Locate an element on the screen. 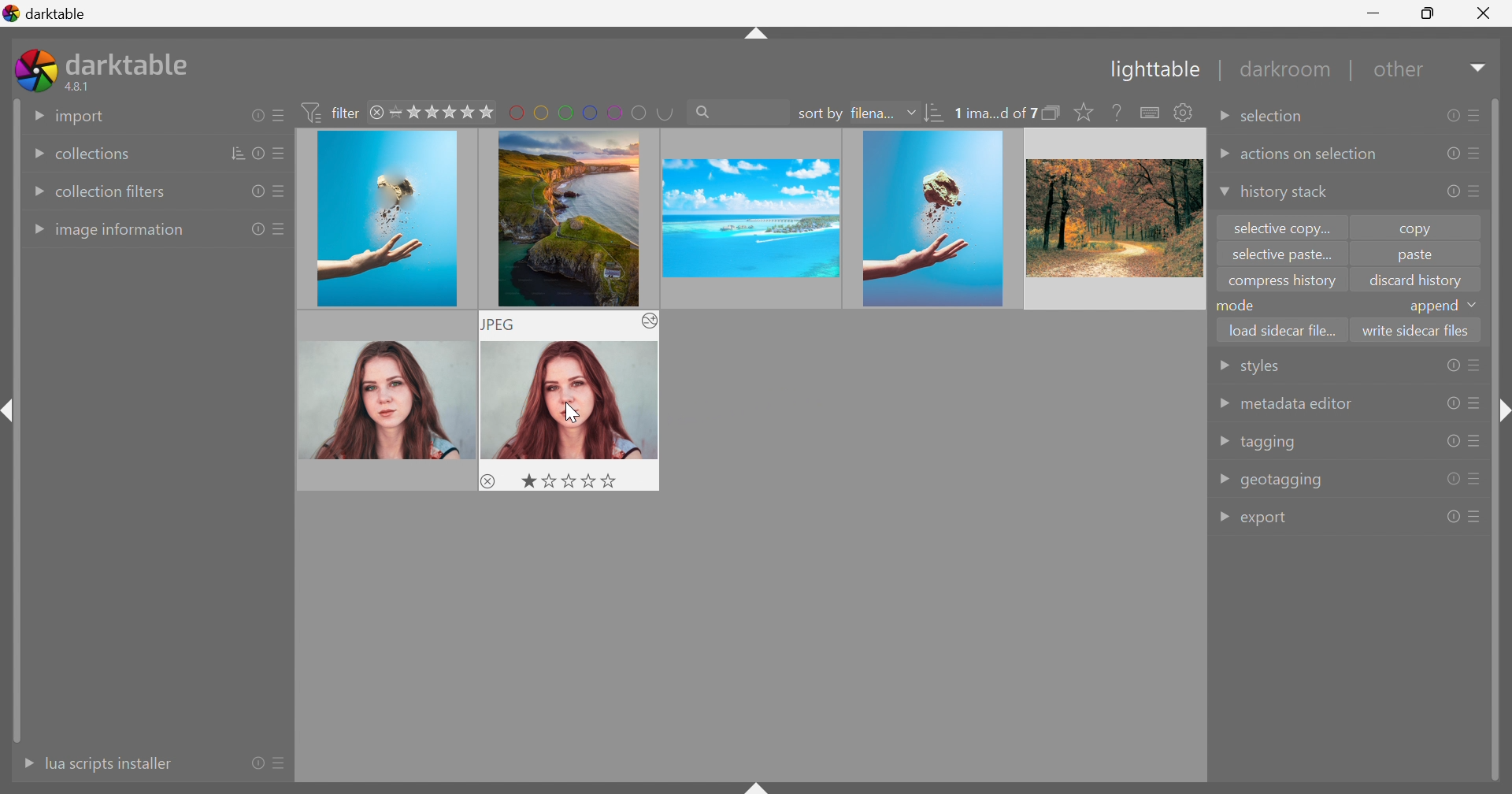 The width and height of the screenshot is (1512, 794). presets is located at coordinates (278, 116).